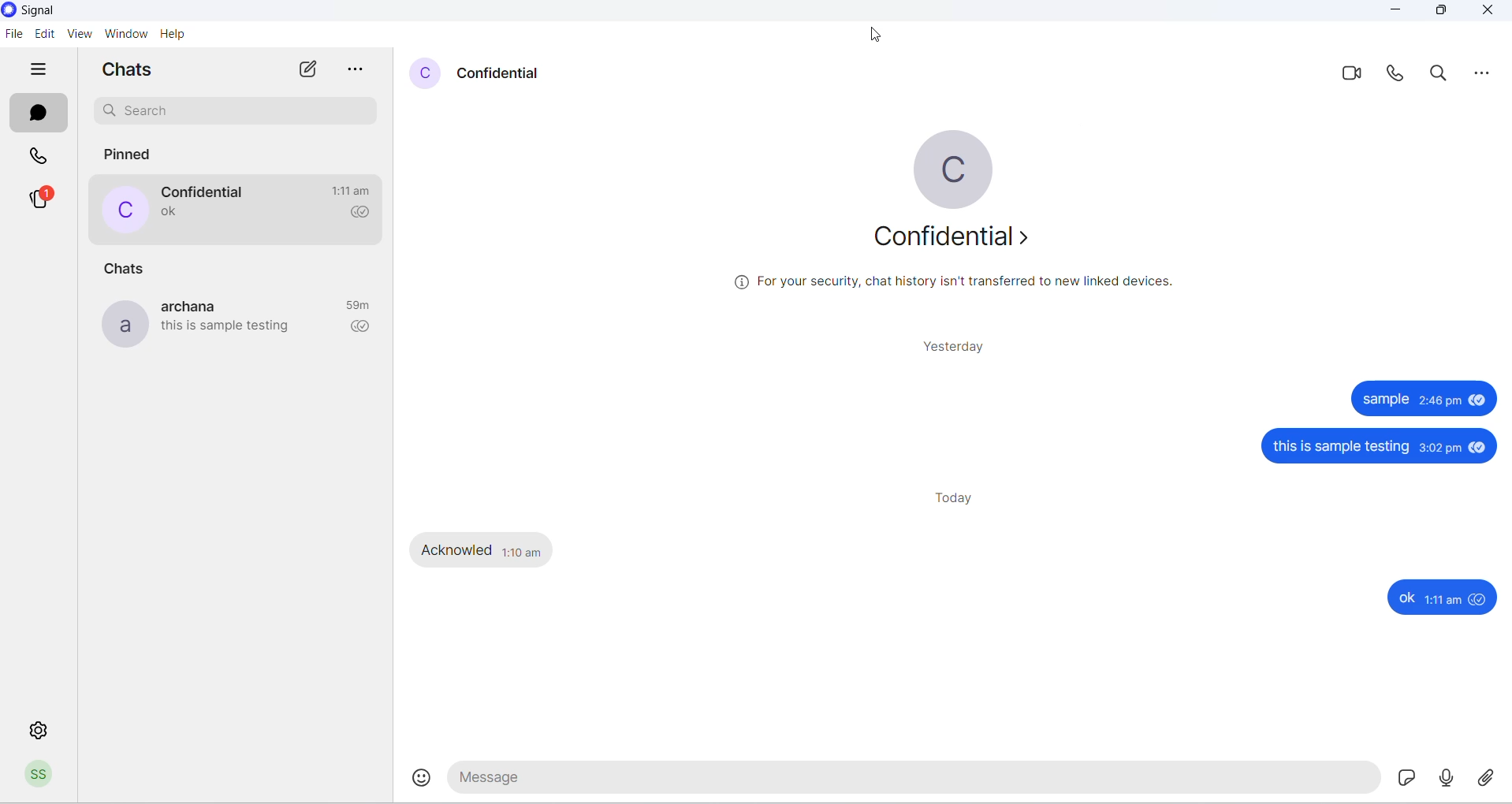 This screenshot has height=804, width=1512. I want to click on seen, so click(1480, 449).